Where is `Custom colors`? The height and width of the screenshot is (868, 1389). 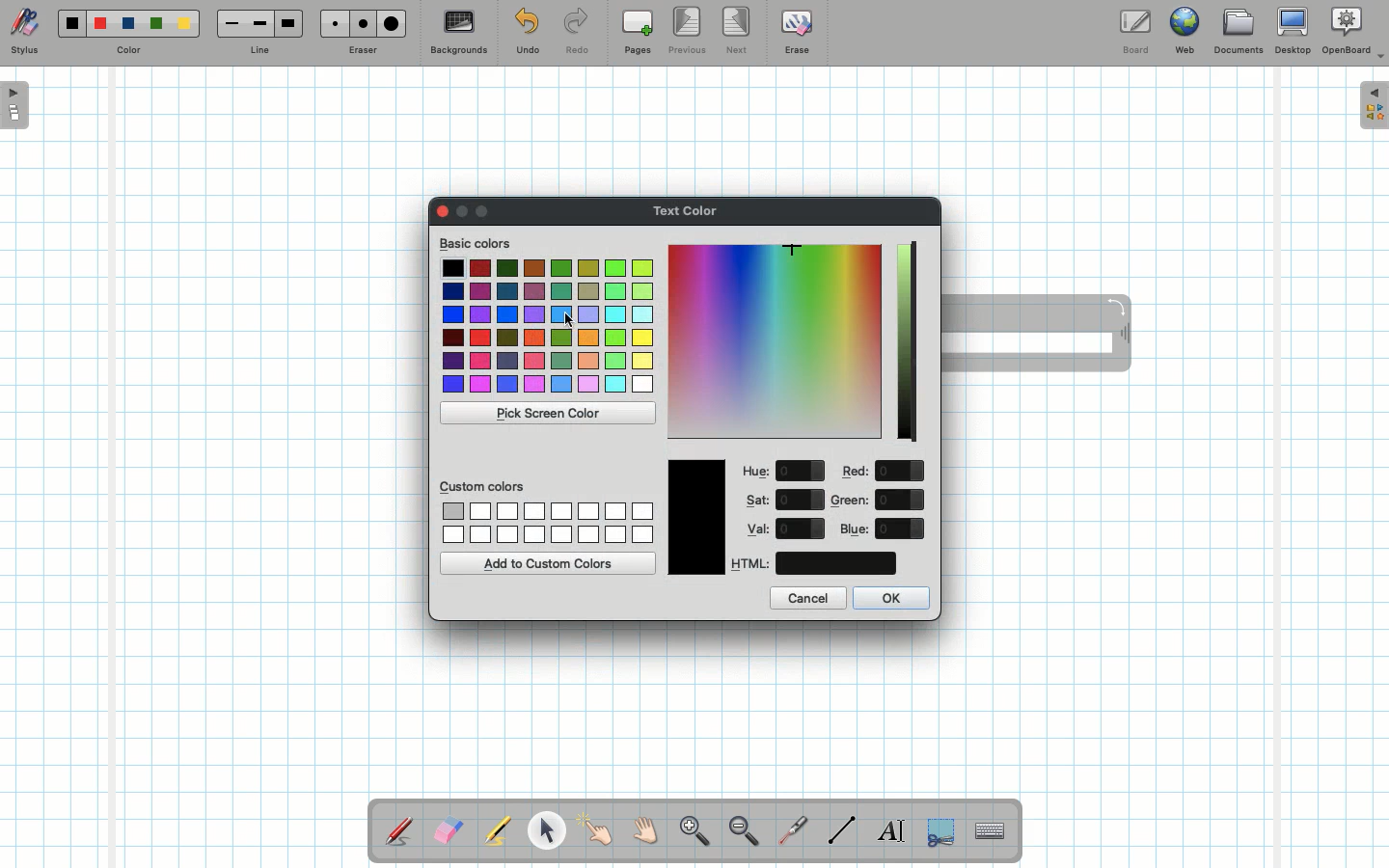 Custom colors is located at coordinates (547, 523).